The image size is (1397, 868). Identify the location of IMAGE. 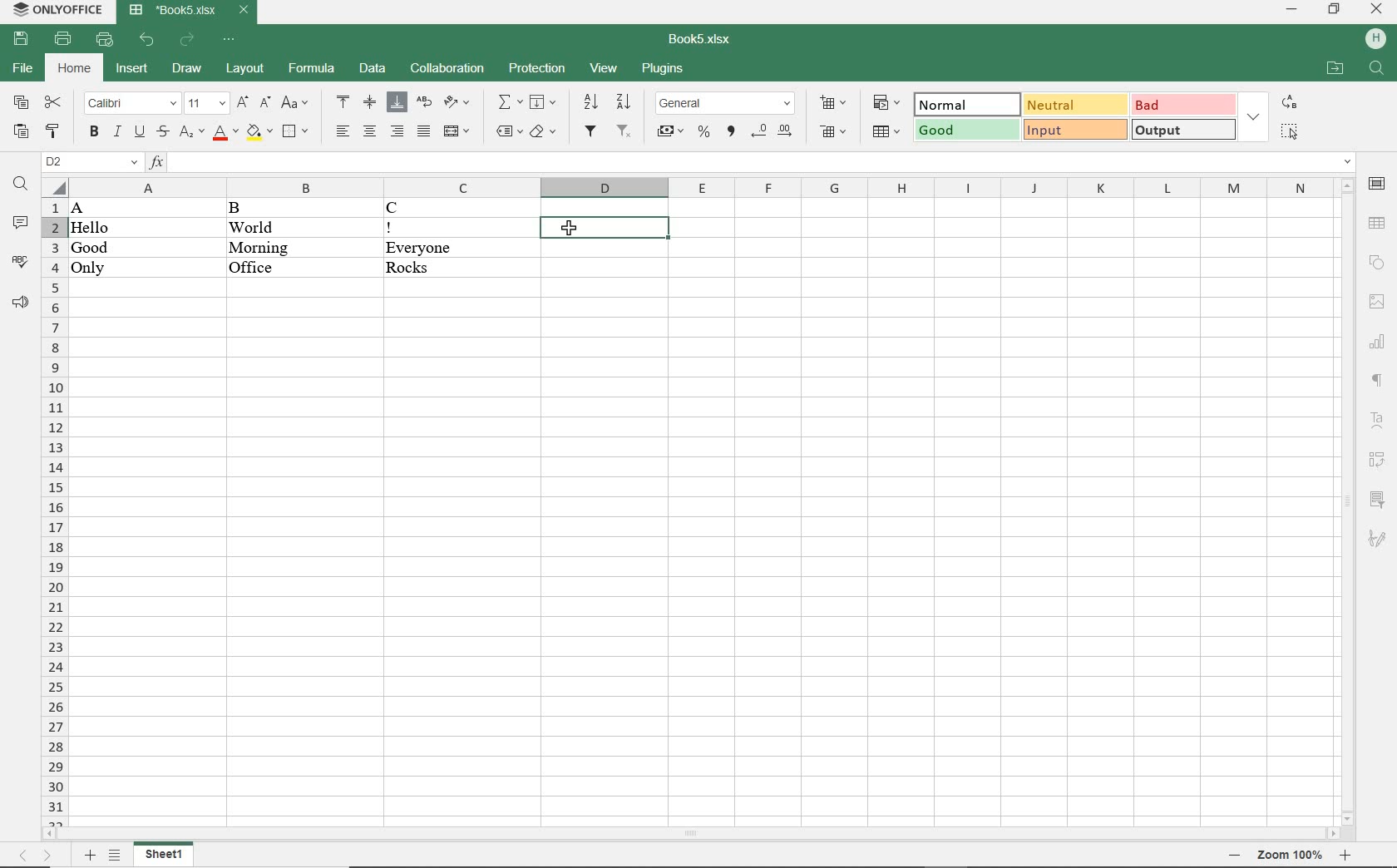
(1377, 300).